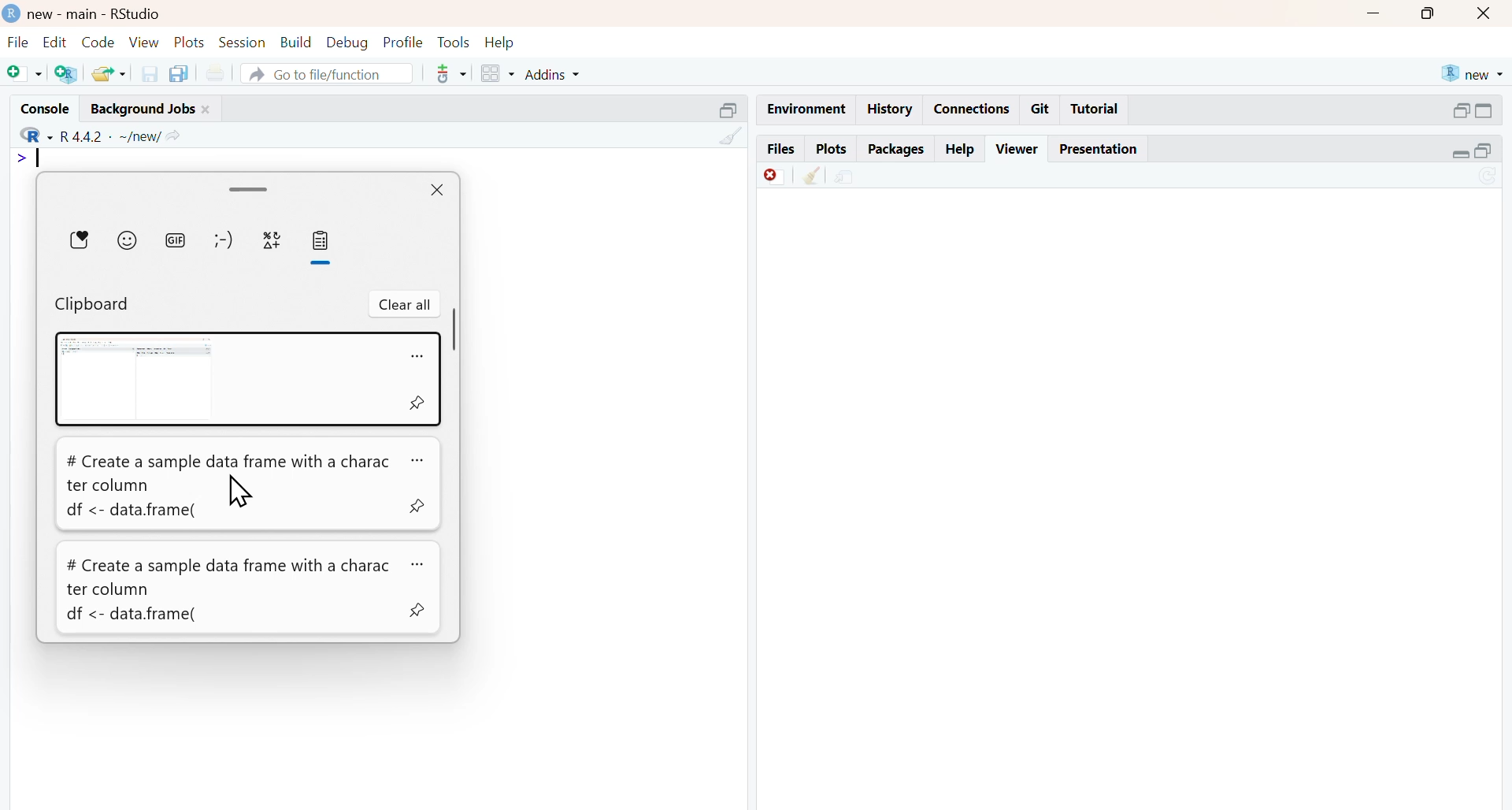 The width and height of the screenshot is (1512, 810). Describe the element at coordinates (416, 460) in the screenshot. I see `more` at that location.